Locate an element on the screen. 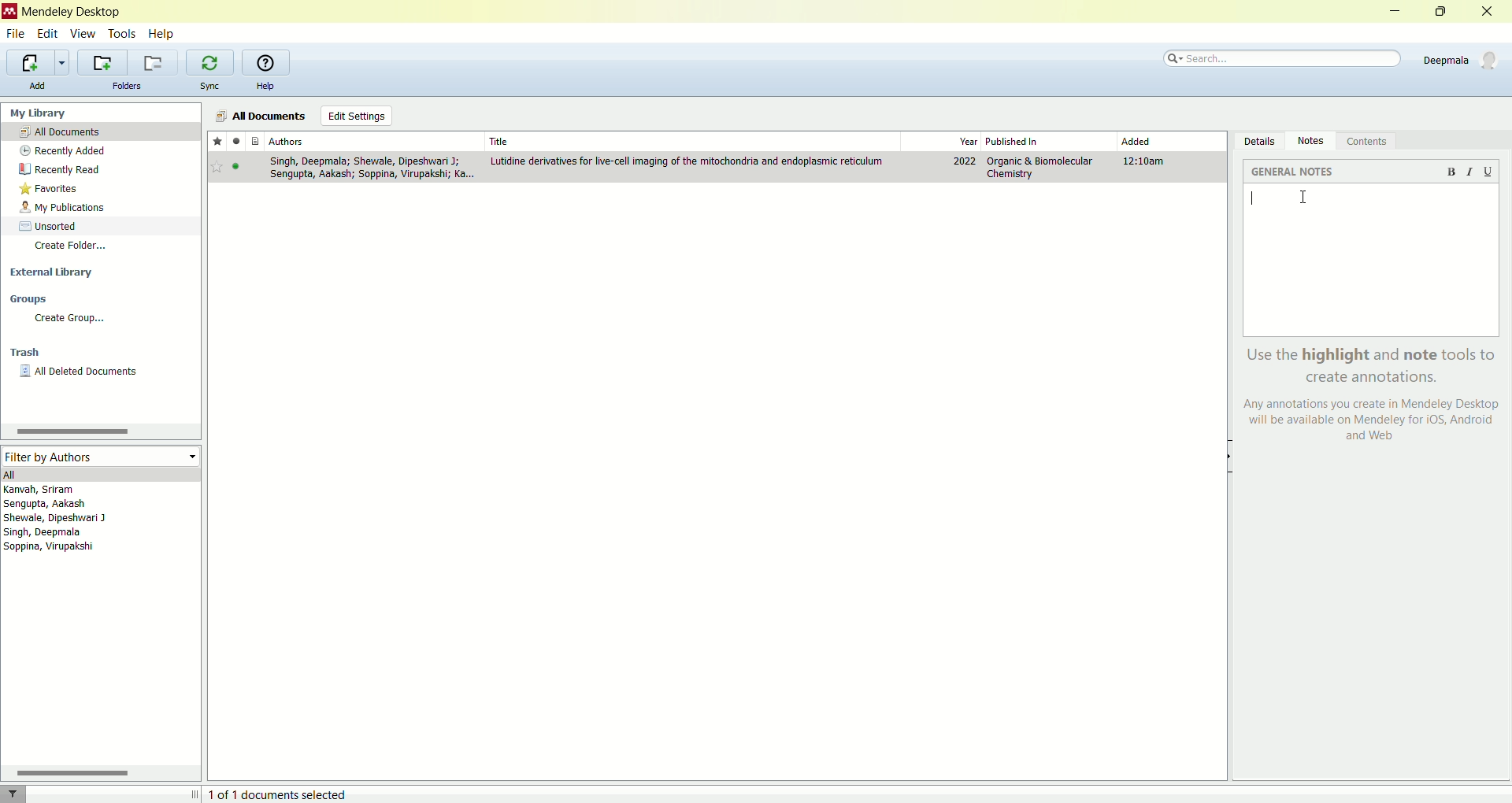 The image size is (1512, 803). file is located at coordinates (17, 34).